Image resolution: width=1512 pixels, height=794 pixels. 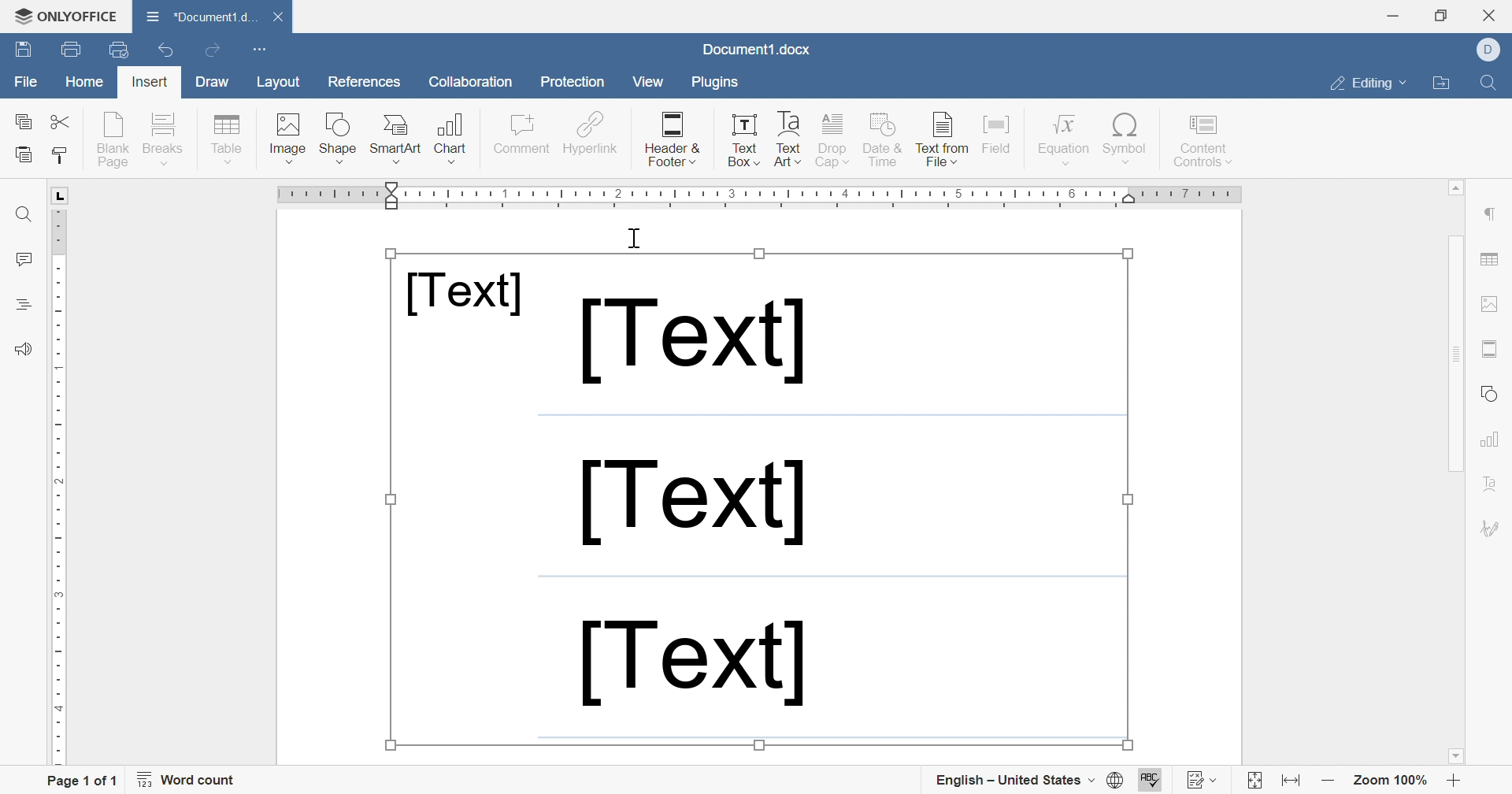 What do you see at coordinates (1206, 141) in the screenshot?
I see `Content controls` at bounding box center [1206, 141].